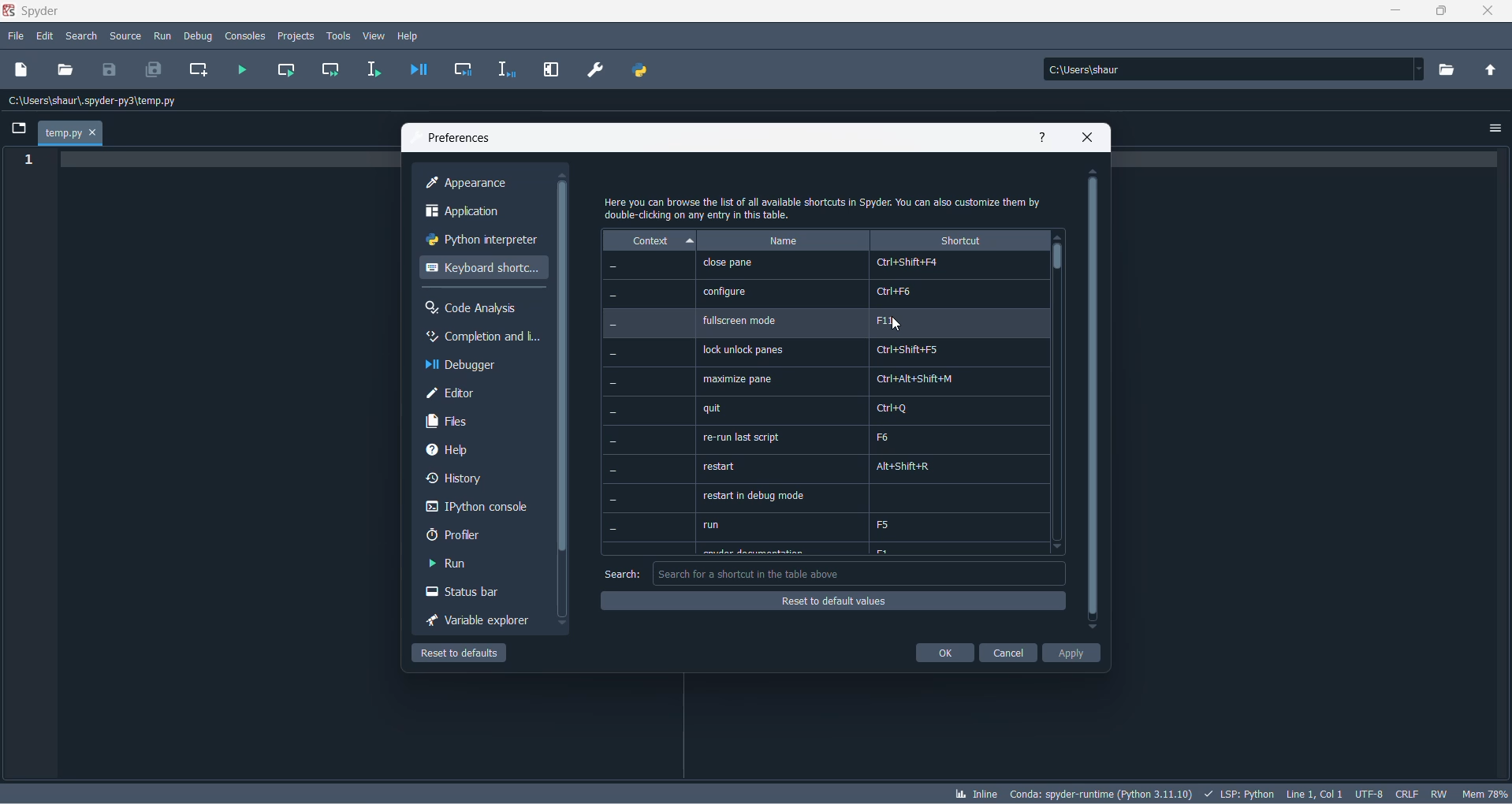 The width and height of the screenshot is (1512, 804). I want to click on run file, so click(243, 70).